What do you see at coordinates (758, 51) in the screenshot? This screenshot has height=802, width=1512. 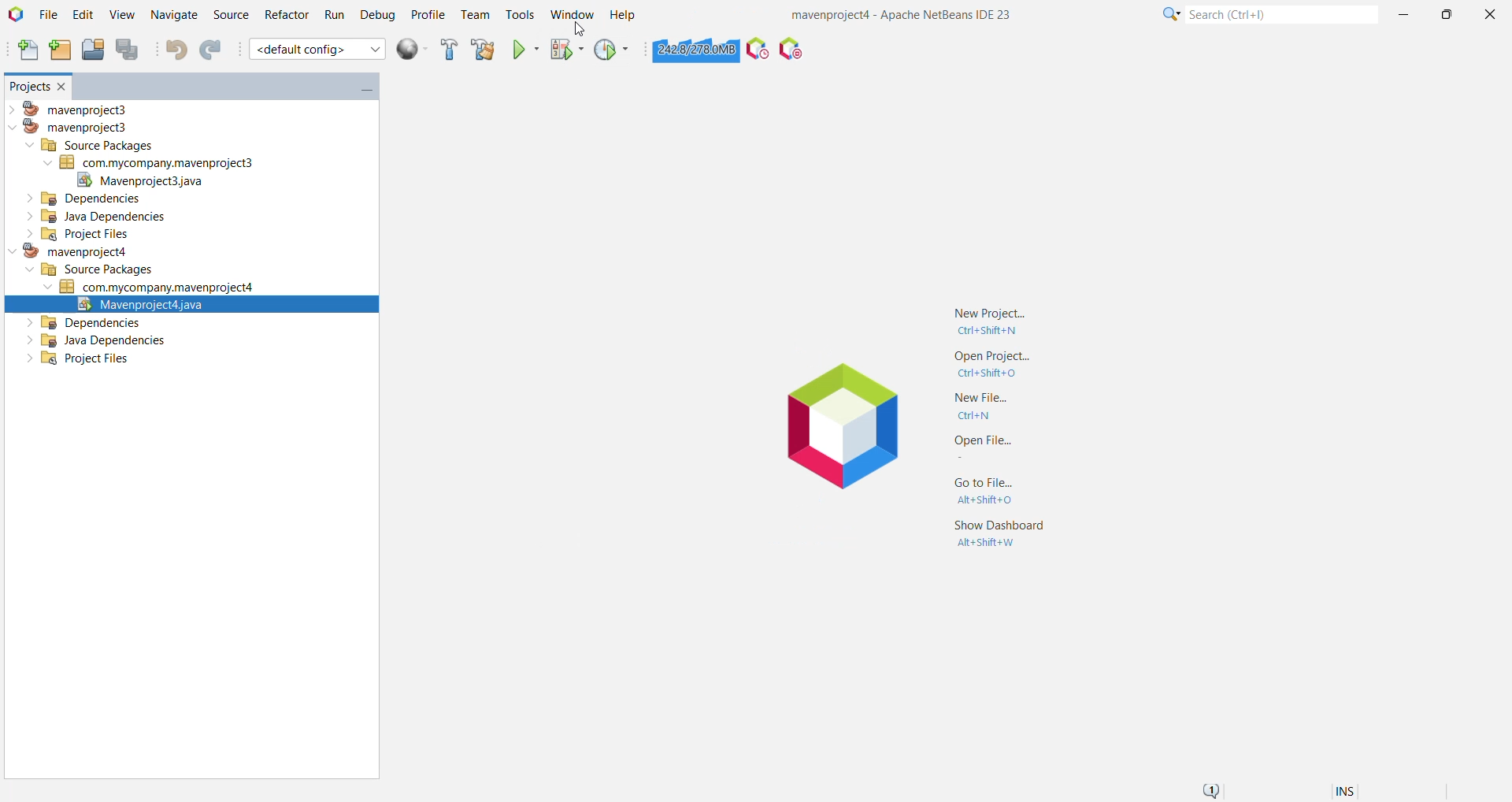 I see `Profile the IDE` at bounding box center [758, 51].